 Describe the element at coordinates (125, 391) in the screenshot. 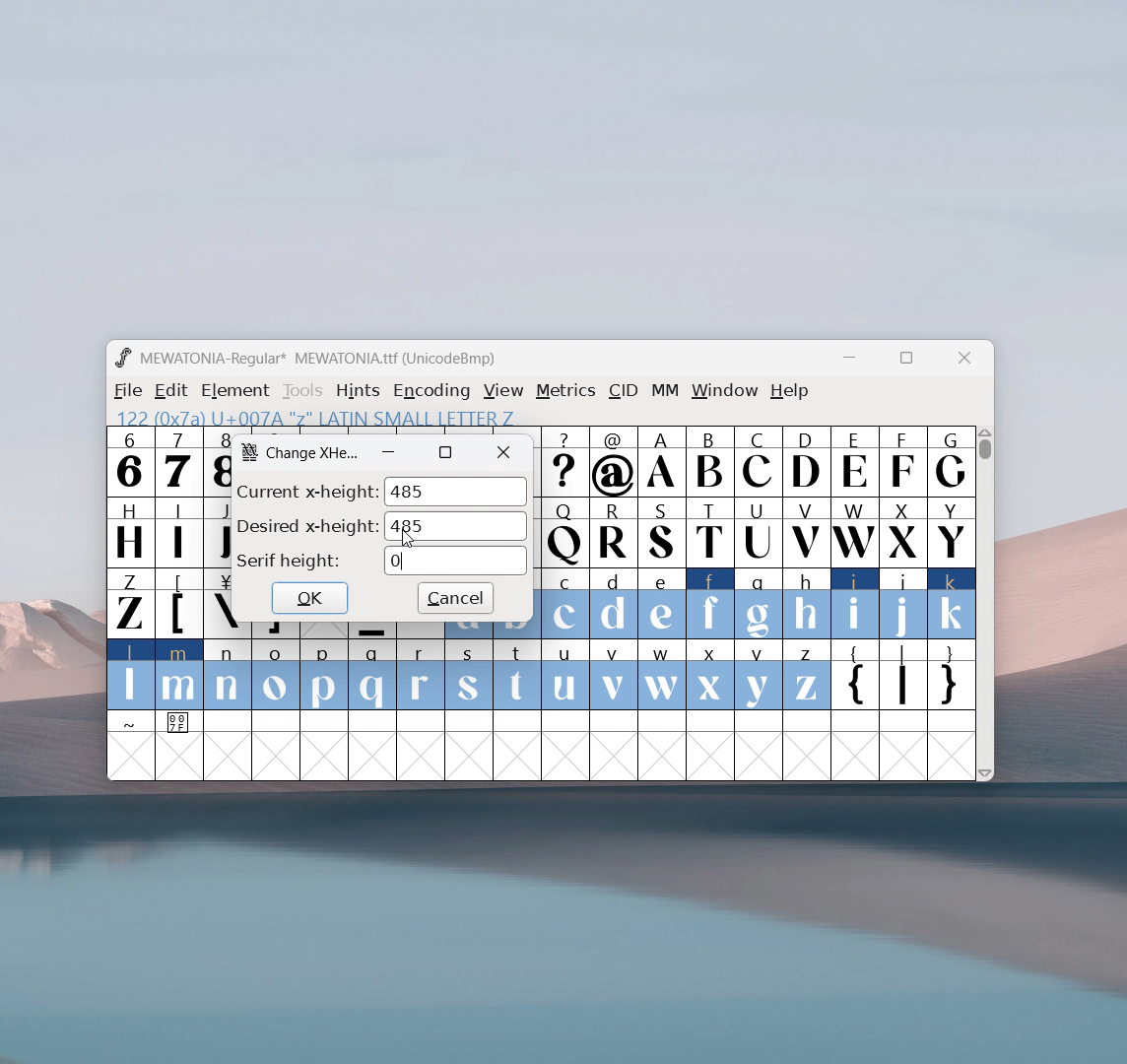

I see `file` at that location.